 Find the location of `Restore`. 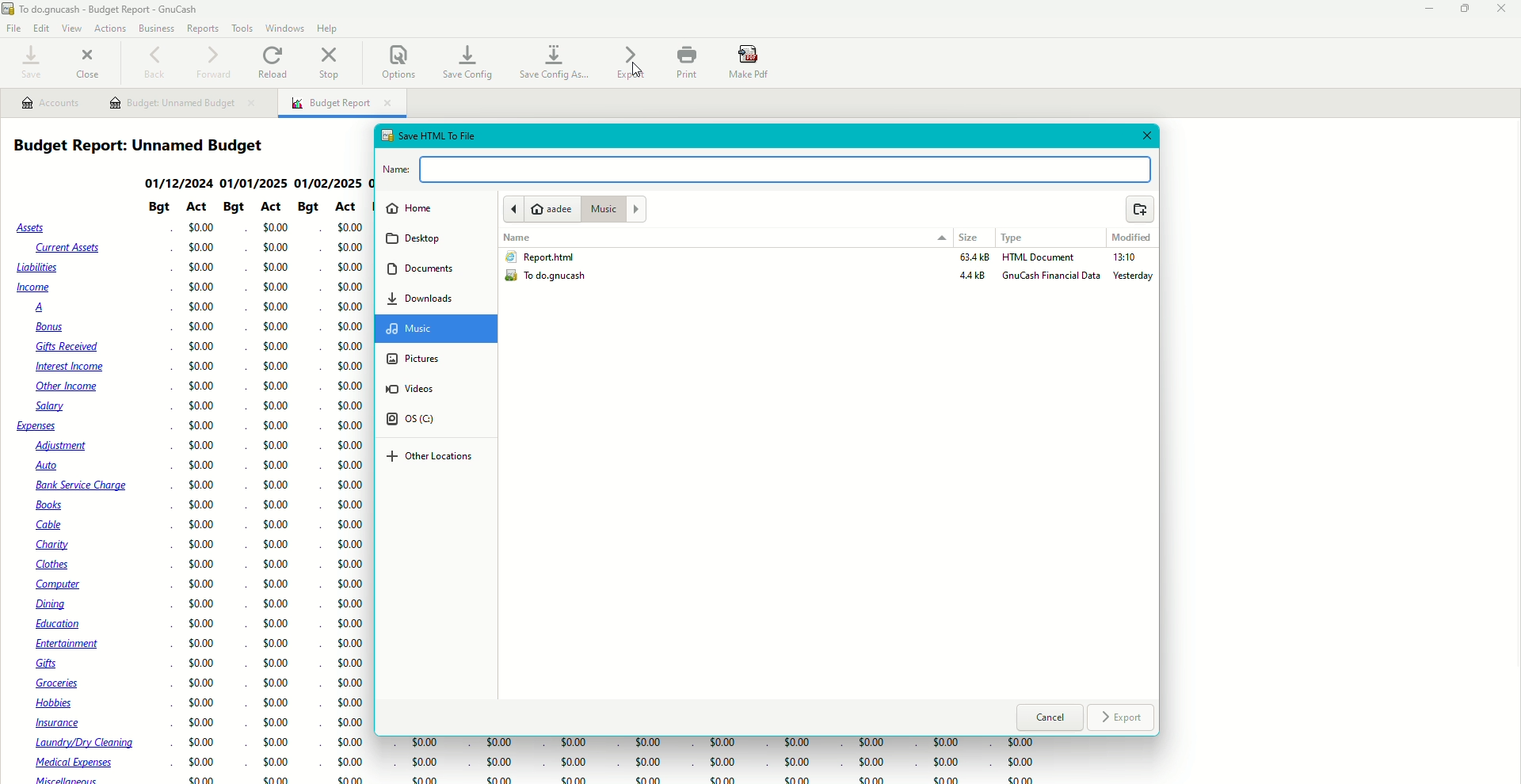

Restore is located at coordinates (1466, 10).